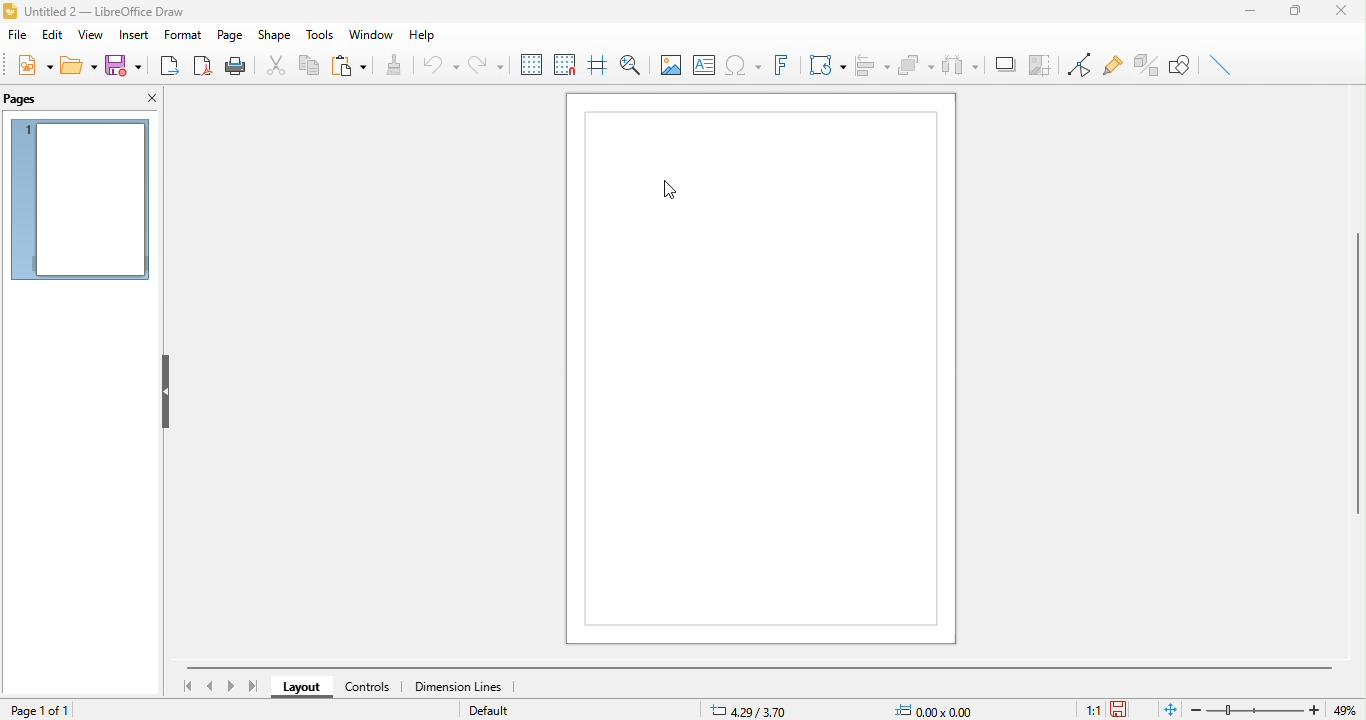 Image resolution: width=1366 pixels, height=720 pixels. Describe the element at coordinates (114, 11) in the screenshot. I see `Untitled 2- Libreoffice Draw` at that location.